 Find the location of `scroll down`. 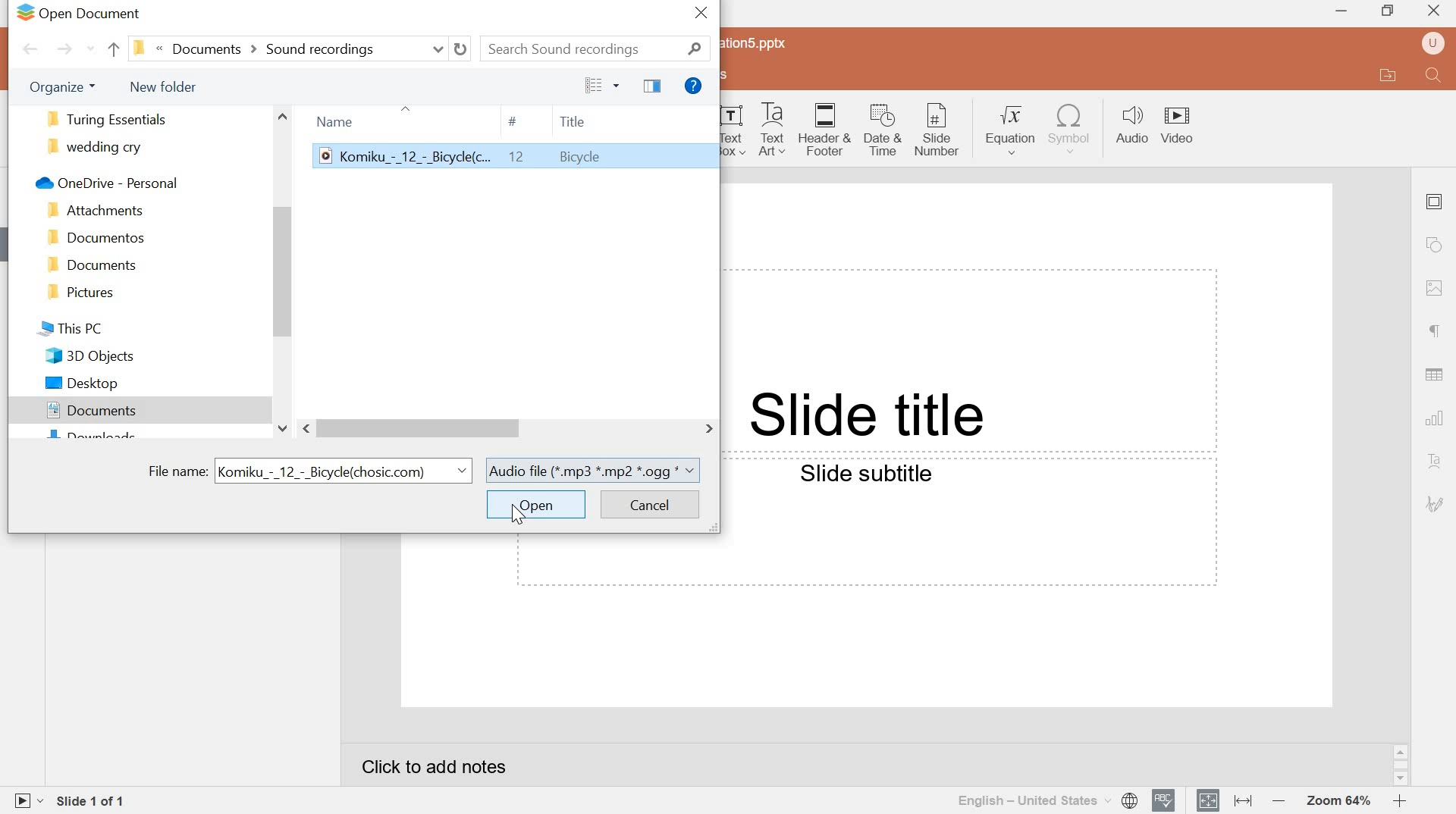

scroll down is located at coordinates (281, 428).